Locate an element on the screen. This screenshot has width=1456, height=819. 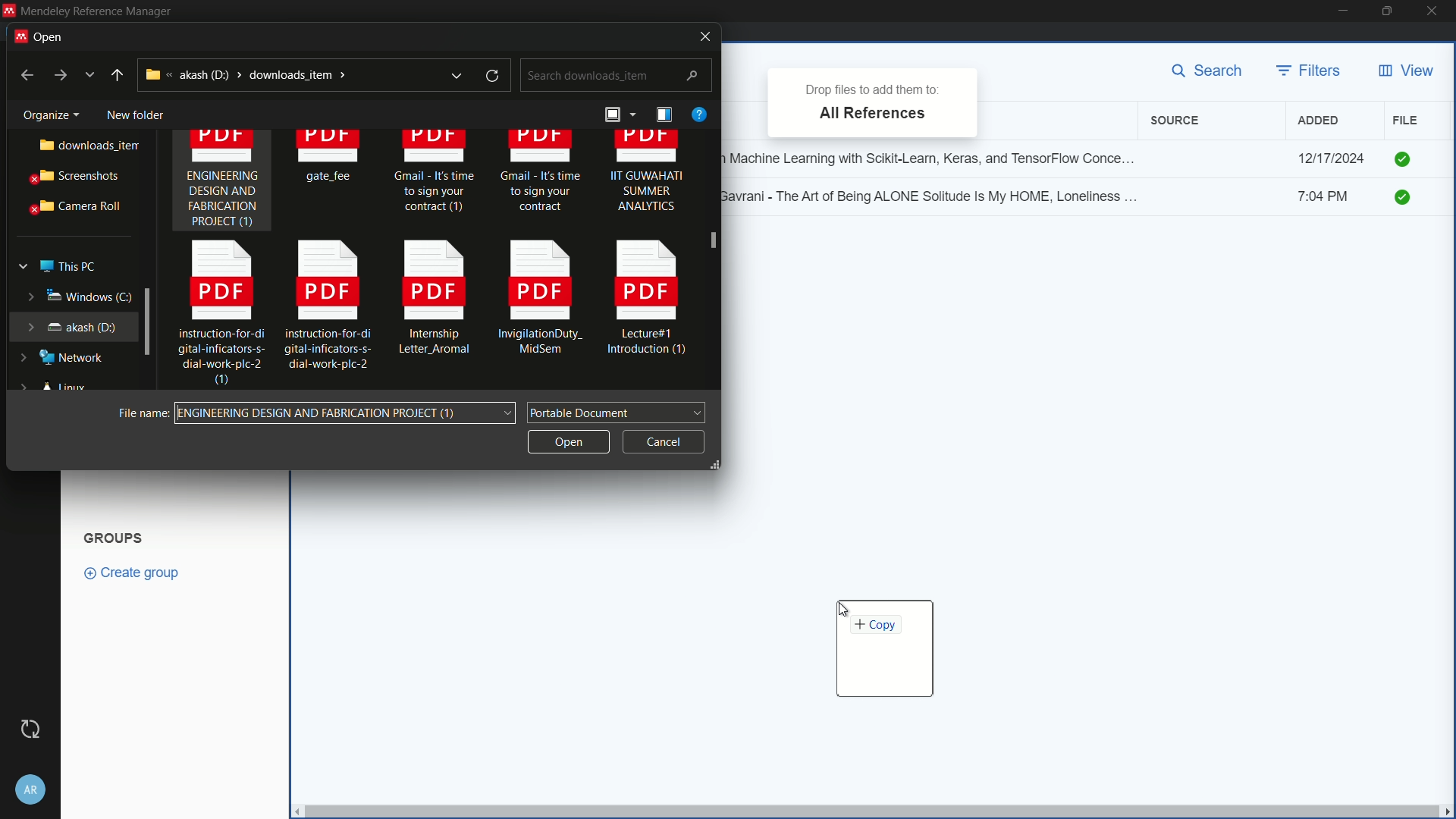
account settings is located at coordinates (31, 786).